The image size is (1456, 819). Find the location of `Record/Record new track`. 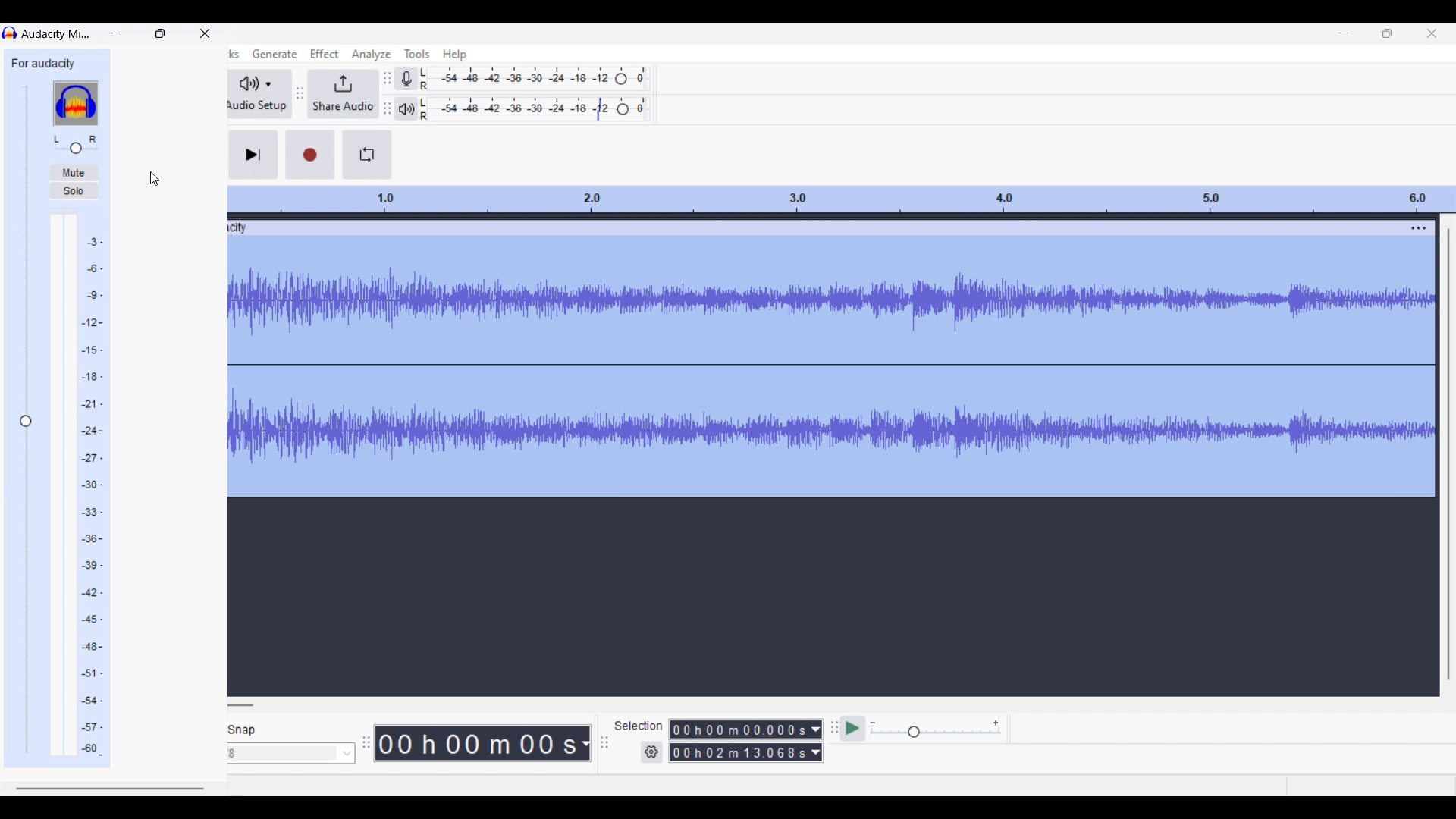

Record/Record new track is located at coordinates (310, 155).